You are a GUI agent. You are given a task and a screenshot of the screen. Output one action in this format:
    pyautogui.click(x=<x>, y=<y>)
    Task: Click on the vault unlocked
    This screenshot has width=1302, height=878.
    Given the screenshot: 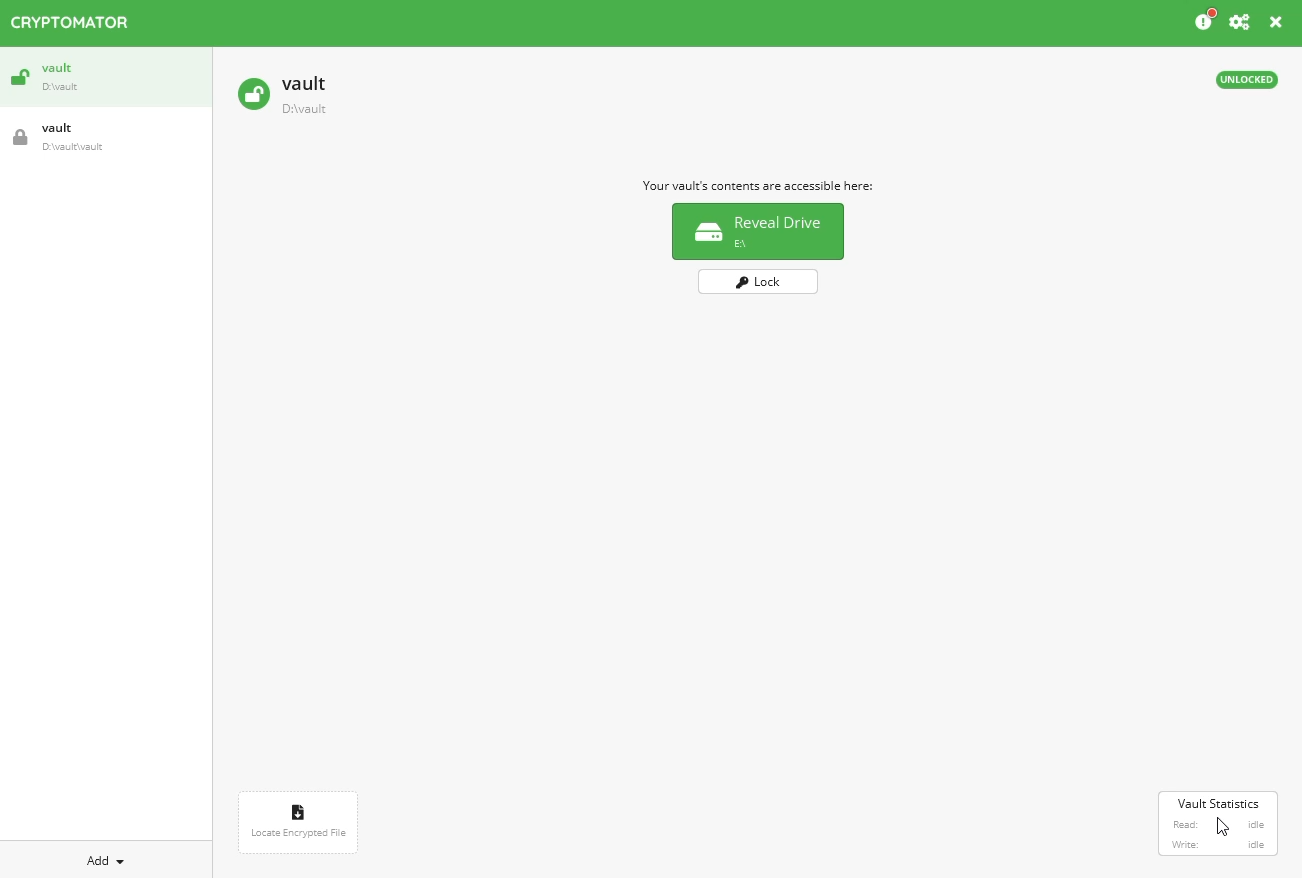 What is the action you would take?
    pyautogui.click(x=281, y=95)
    